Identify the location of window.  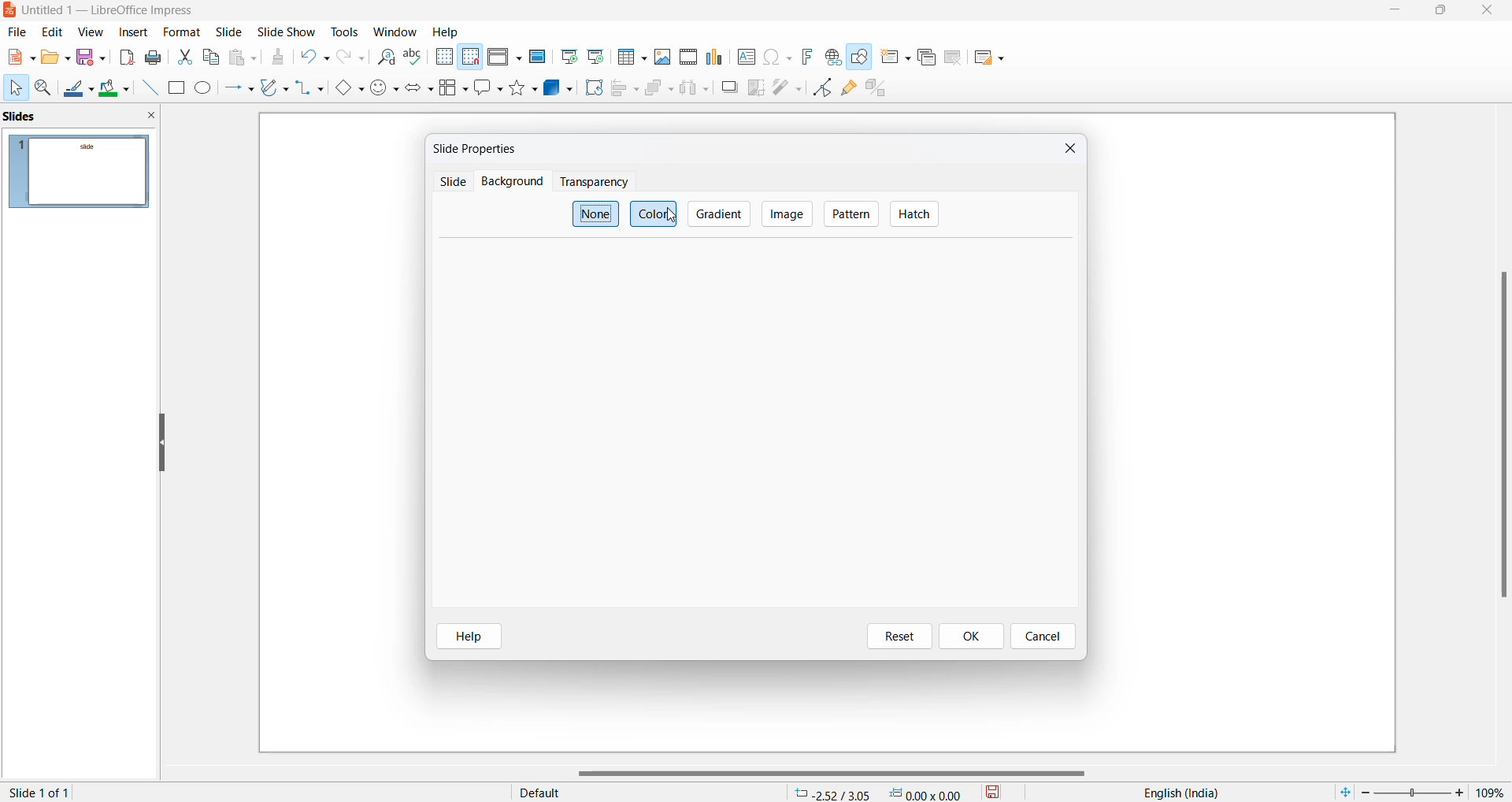
(395, 32).